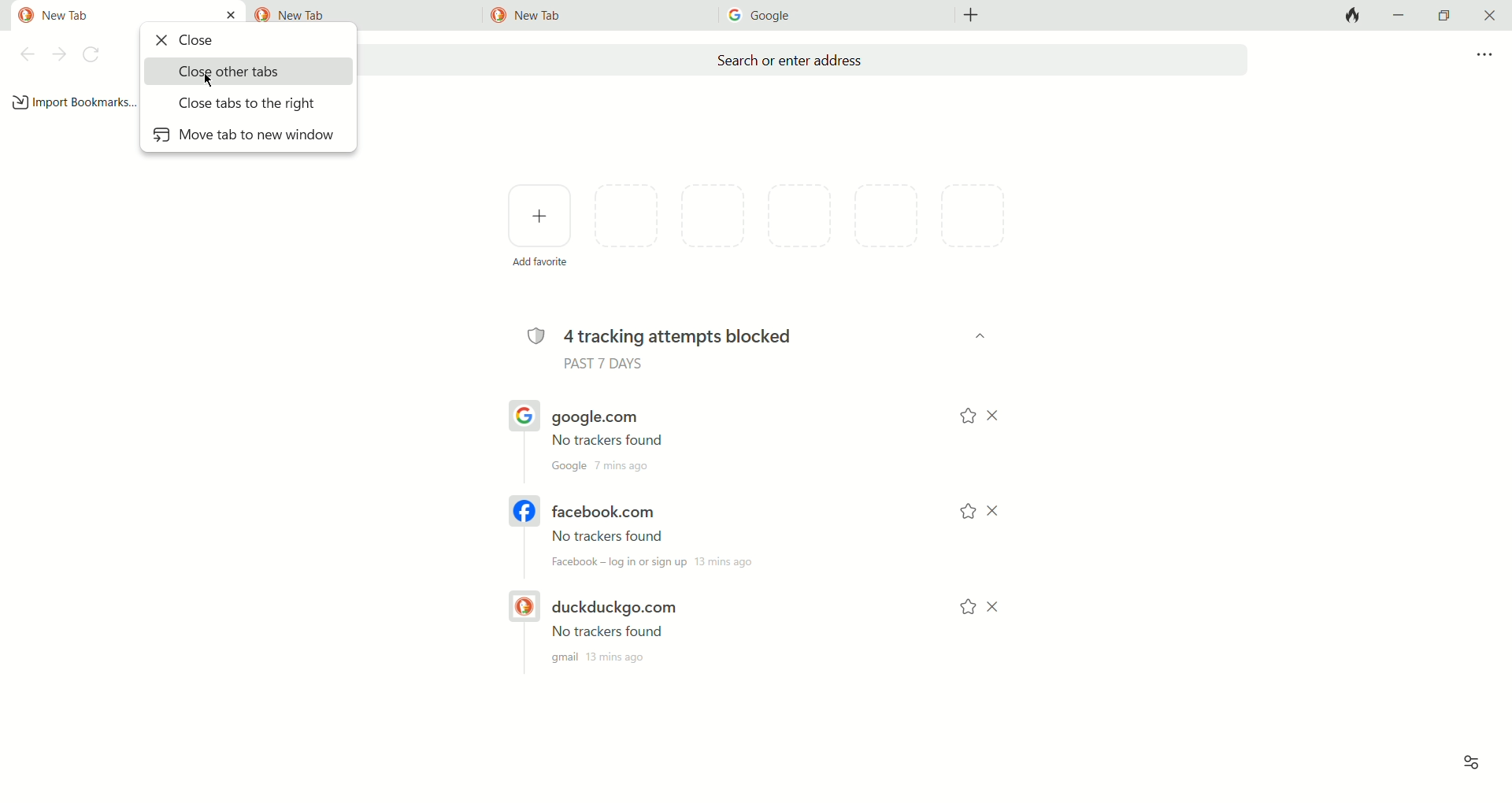 Image resolution: width=1512 pixels, height=803 pixels. What do you see at coordinates (209, 77) in the screenshot?
I see `mouse cursor` at bounding box center [209, 77].